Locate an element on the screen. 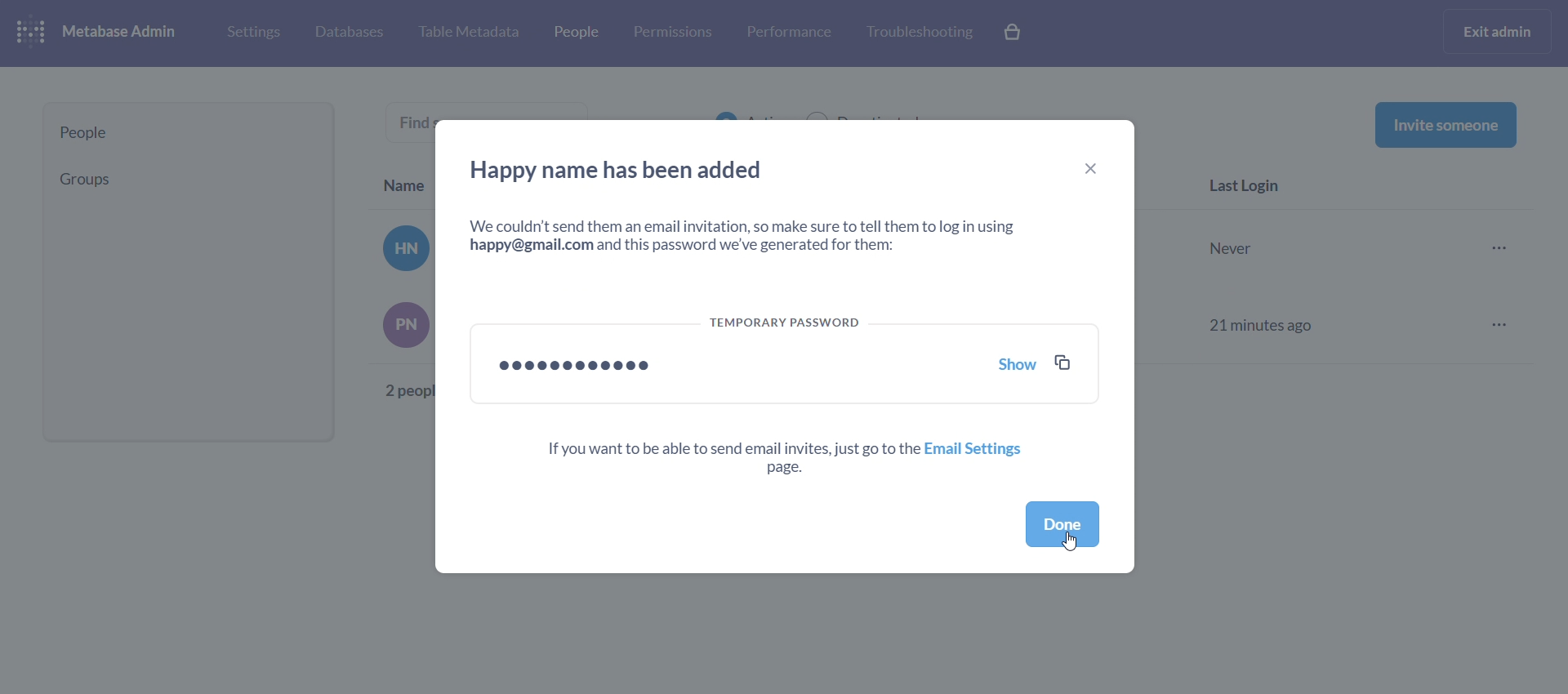 The height and width of the screenshot is (694, 1568). 20 minutes ago is located at coordinates (1261, 246).